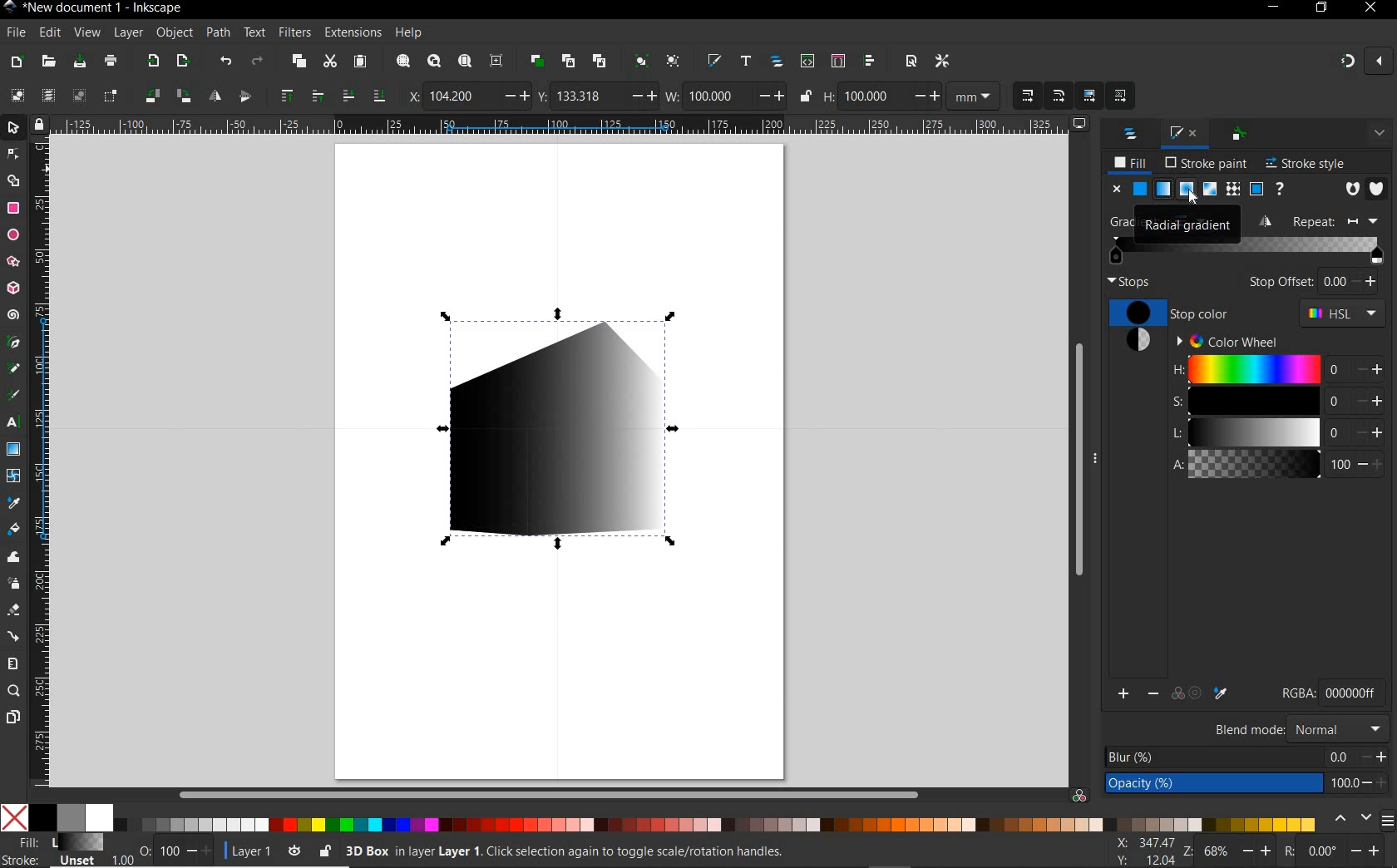 The height and width of the screenshot is (868, 1397). What do you see at coordinates (974, 96) in the screenshot?
I see `MEASUREMENTS` at bounding box center [974, 96].